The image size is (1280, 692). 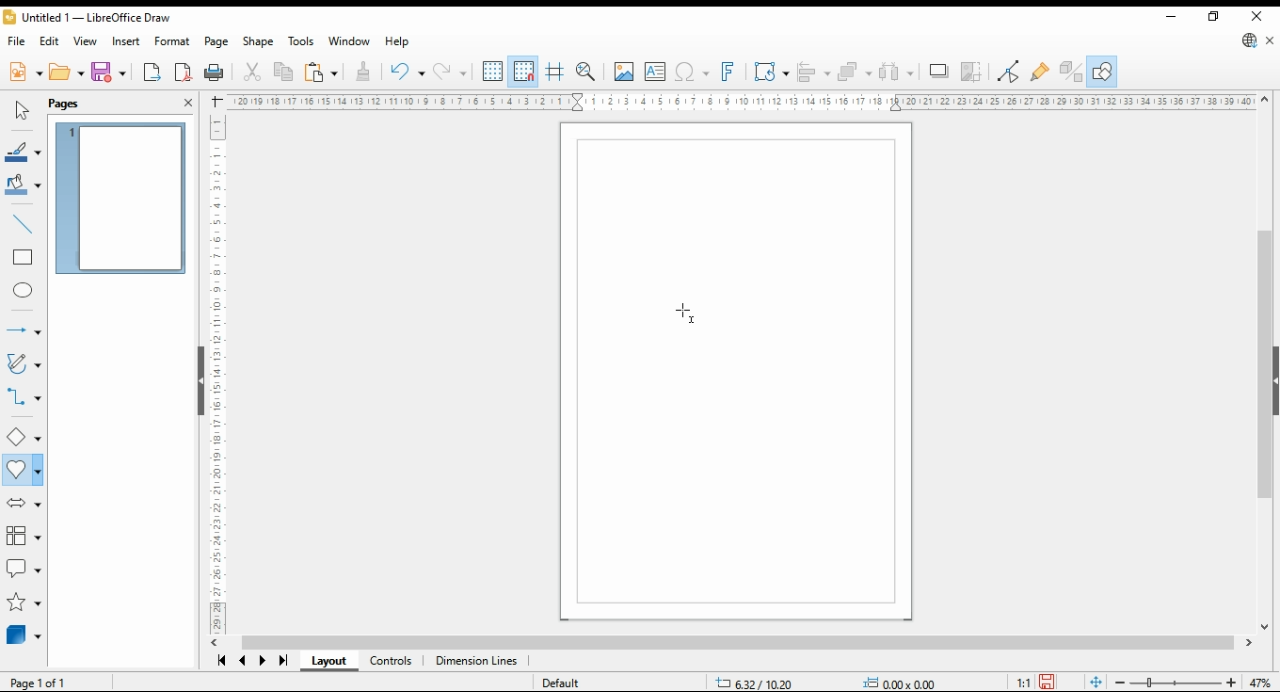 What do you see at coordinates (222, 661) in the screenshot?
I see `first page` at bounding box center [222, 661].